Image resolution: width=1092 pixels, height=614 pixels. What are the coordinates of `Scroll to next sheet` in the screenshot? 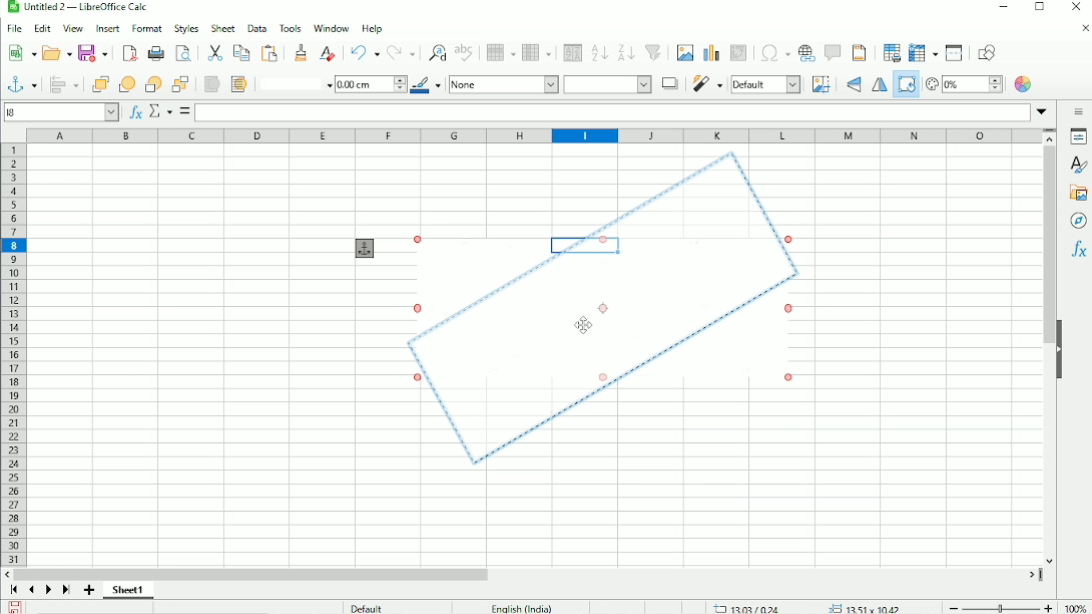 It's located at (47, 591).